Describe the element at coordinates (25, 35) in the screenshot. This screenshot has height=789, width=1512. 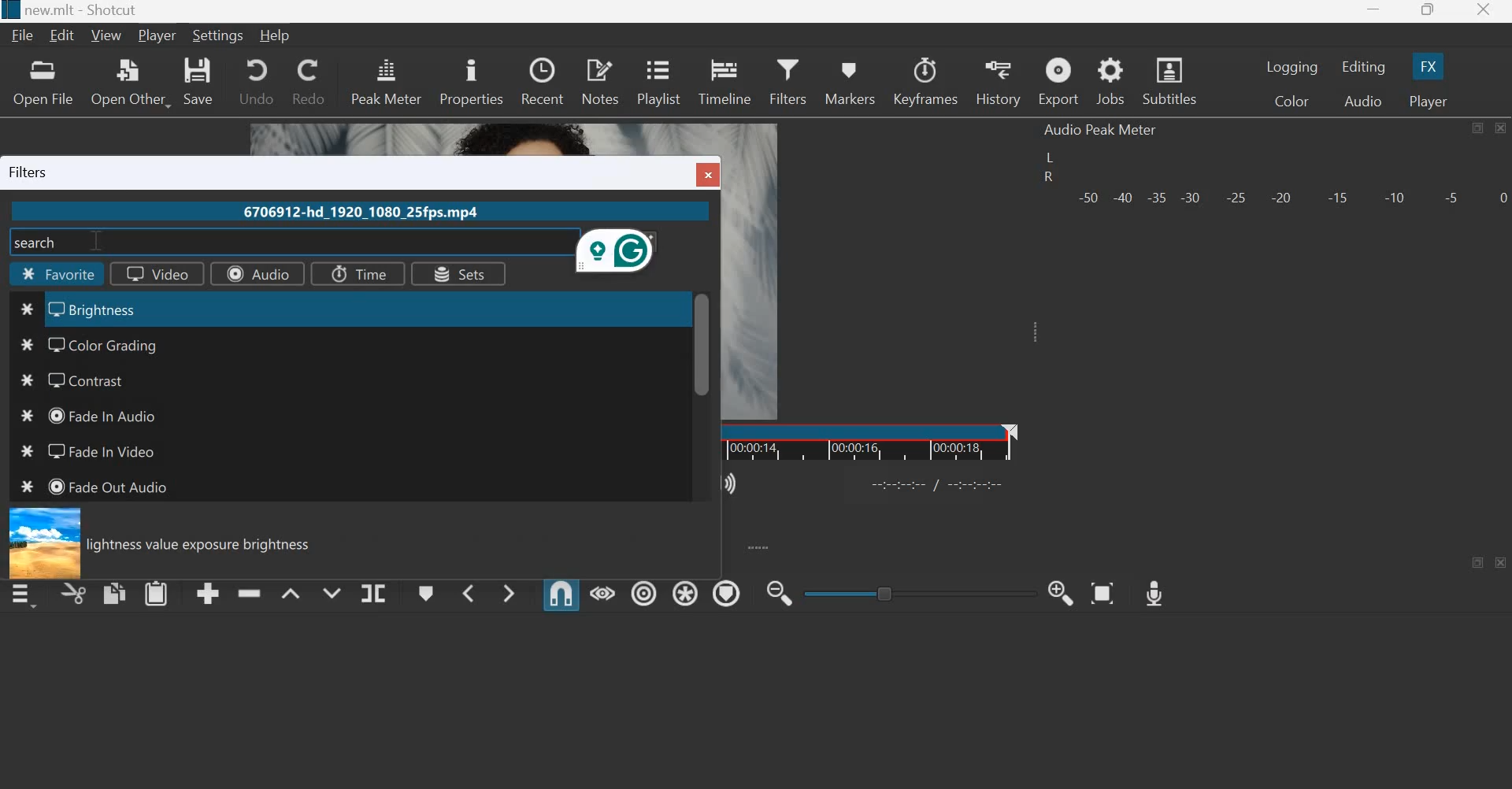
I see `File` at that location.